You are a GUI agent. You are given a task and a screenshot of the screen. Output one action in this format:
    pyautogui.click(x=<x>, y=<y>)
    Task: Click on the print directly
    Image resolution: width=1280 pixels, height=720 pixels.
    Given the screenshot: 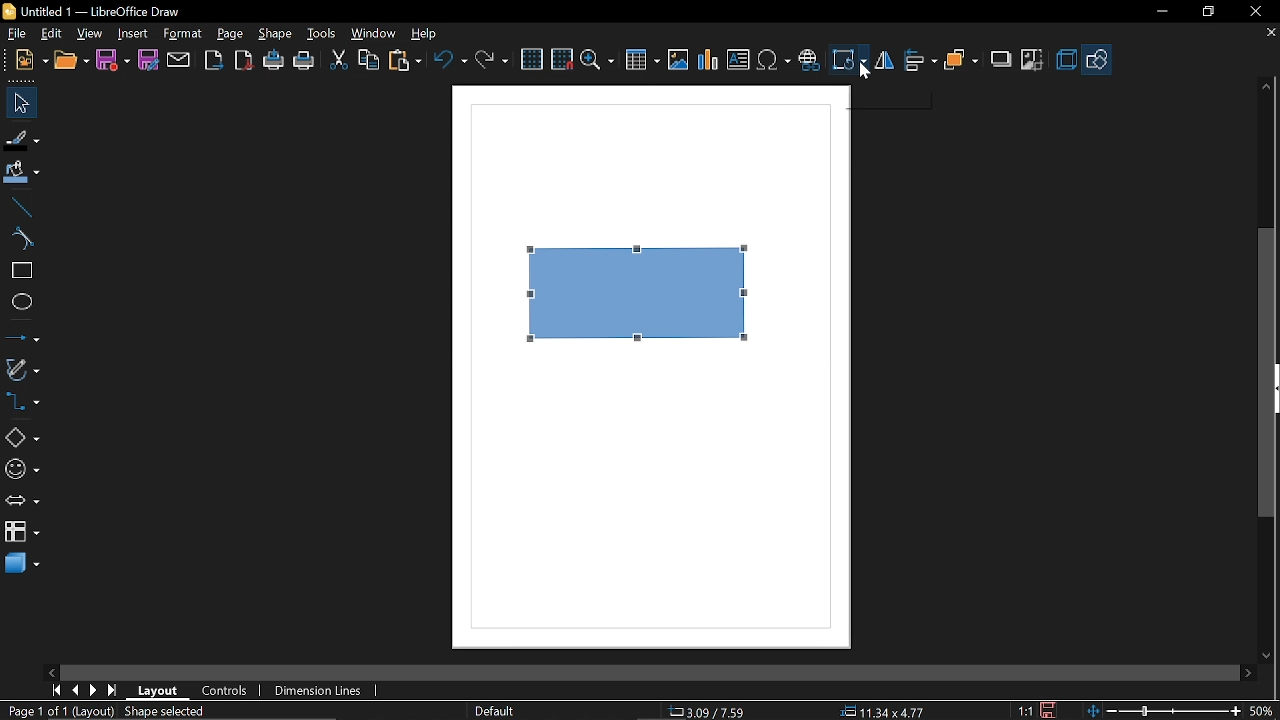 What is the action you would take?
    pyautogui.click(x=273, y=62)
    